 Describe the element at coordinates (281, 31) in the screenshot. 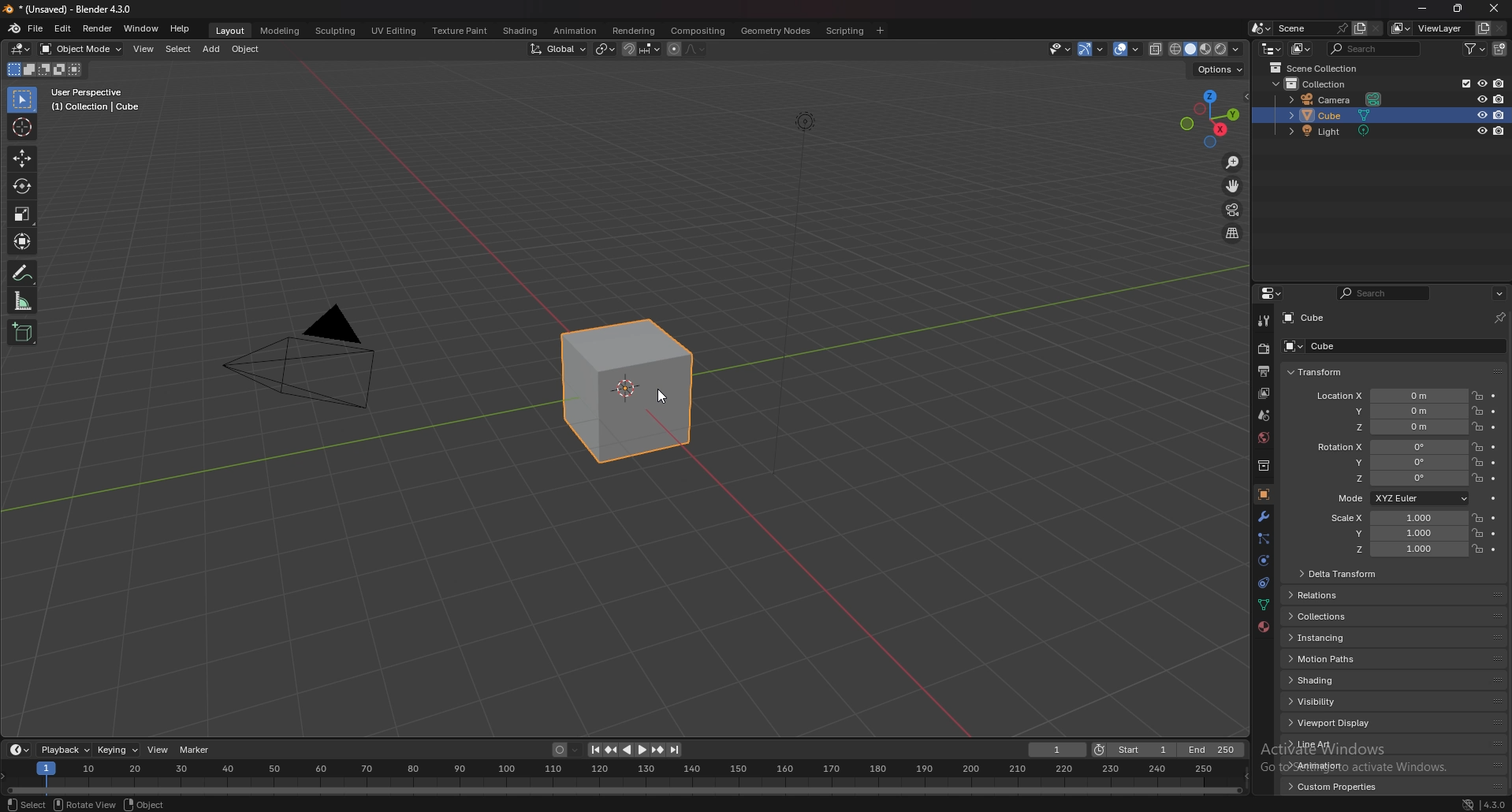

I see `modeling` at that location.